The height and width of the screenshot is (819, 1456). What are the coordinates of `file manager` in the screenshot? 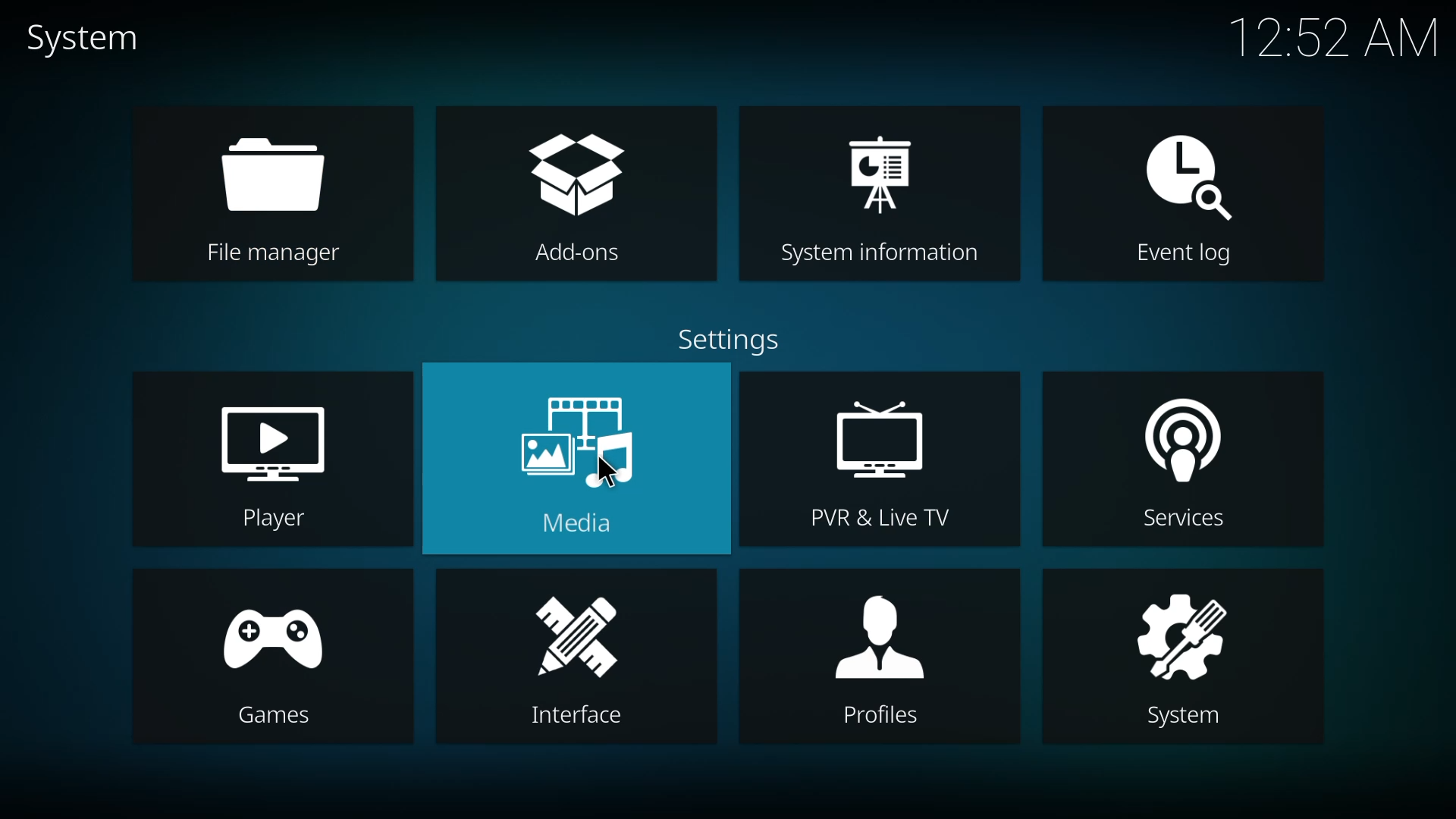 It's located at (284, 173).